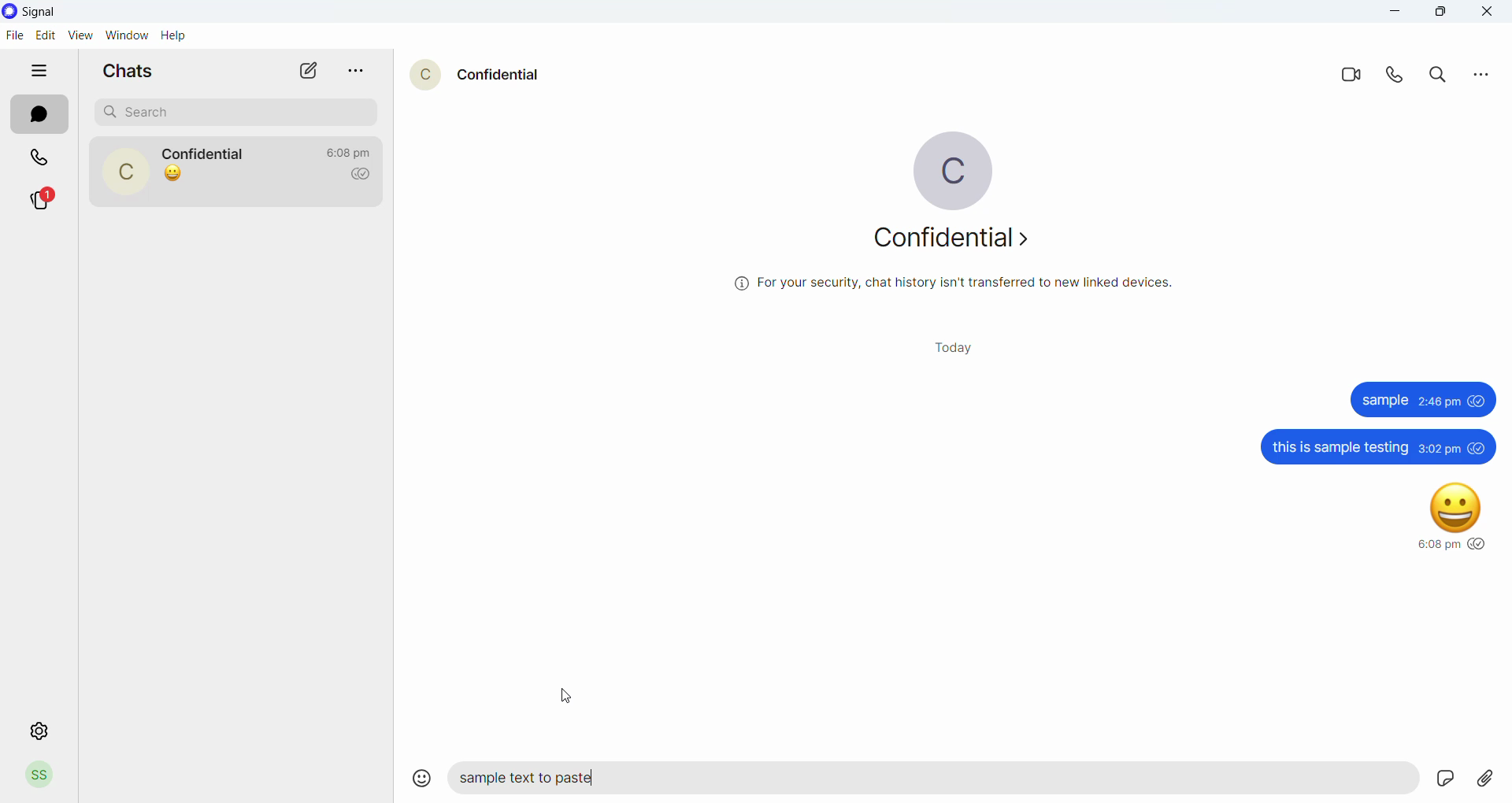  What do you see at coordinates (129, 35) in the screenshot?
I see `window` at bounding box center [129, 35].